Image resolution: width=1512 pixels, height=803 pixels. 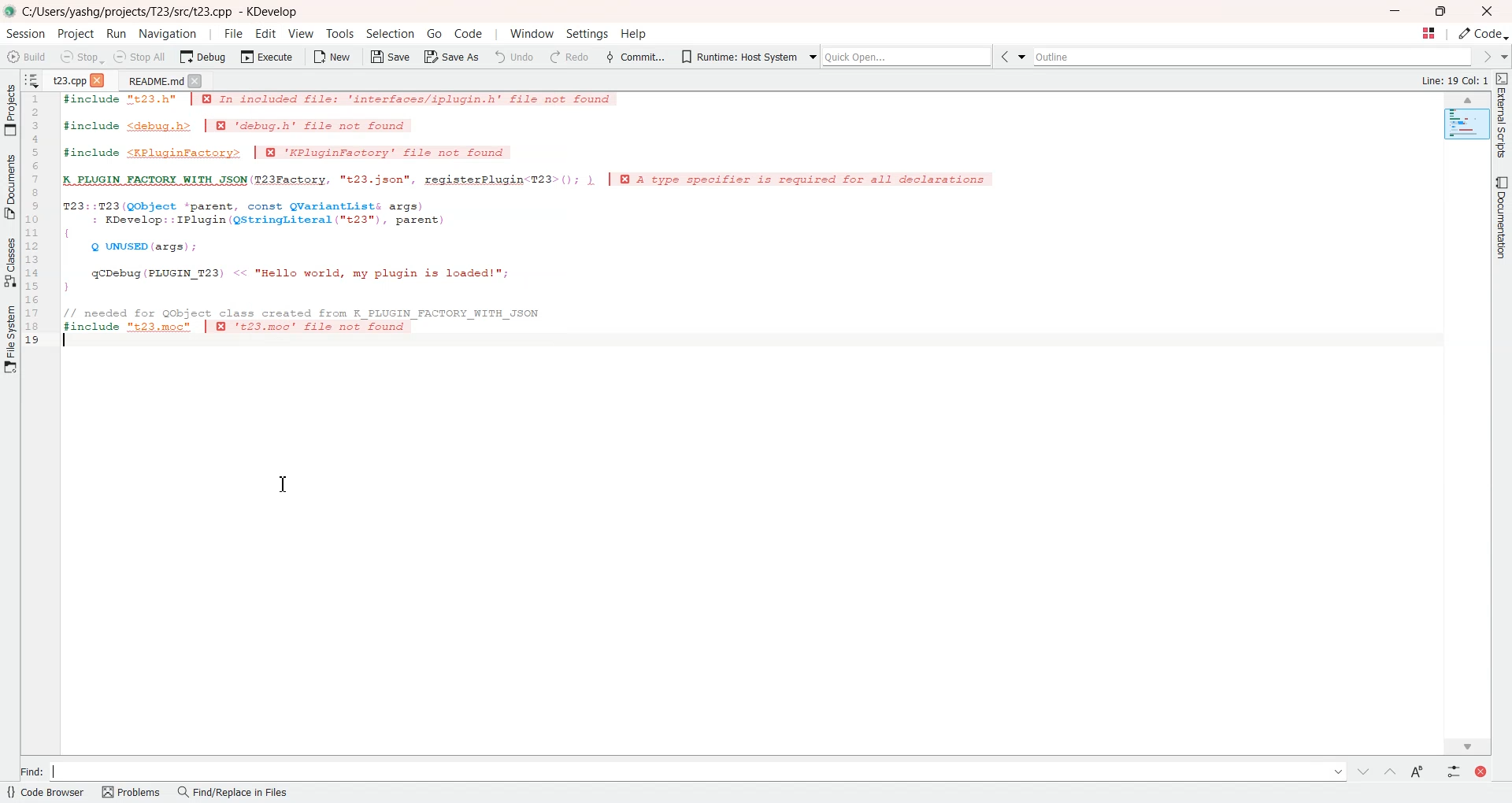 What do you see at coordinates (282, 483) in the screenshot?
I see `Text Cursor` at bounding box center [282, 483].